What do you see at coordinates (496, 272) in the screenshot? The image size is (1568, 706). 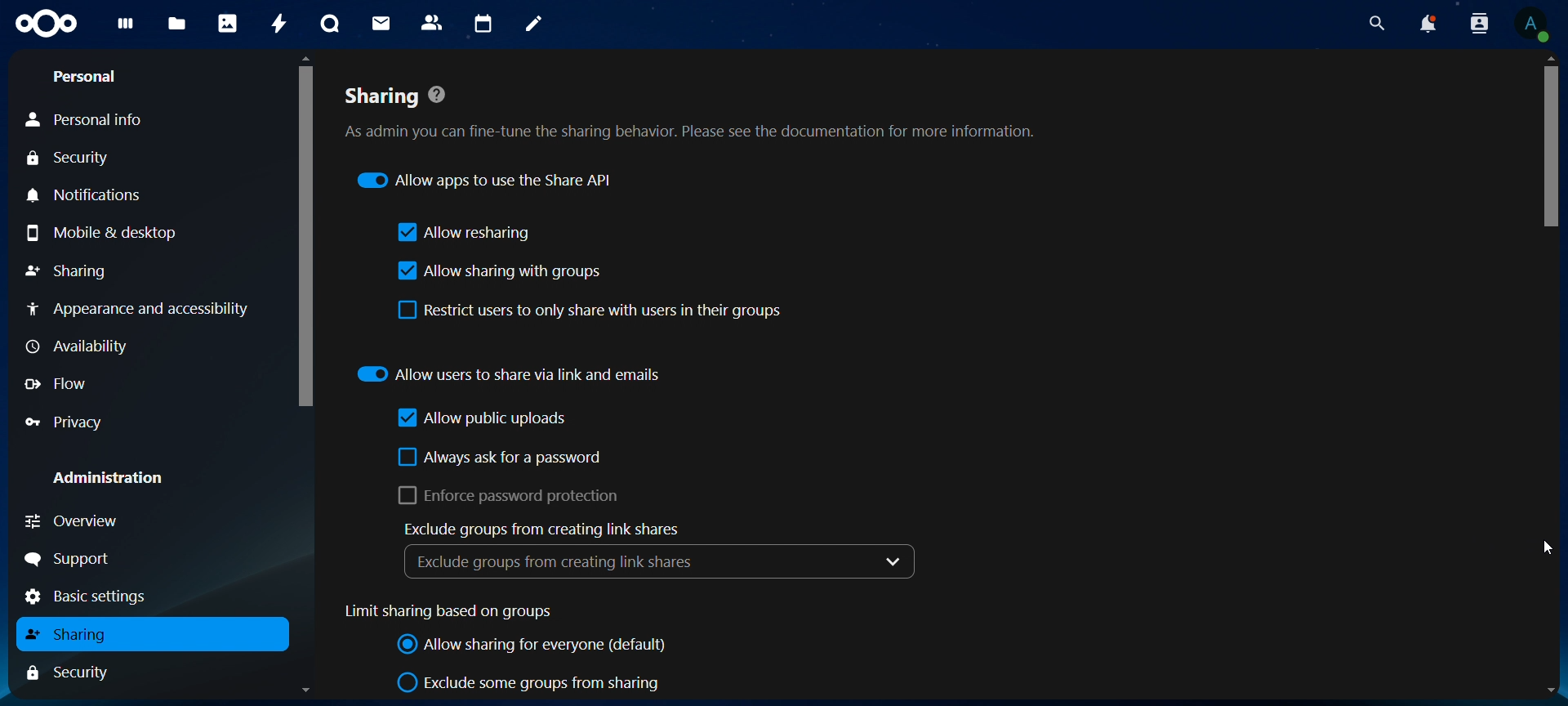 I see `allow sharing with groups` at bounding box center [496, 272].